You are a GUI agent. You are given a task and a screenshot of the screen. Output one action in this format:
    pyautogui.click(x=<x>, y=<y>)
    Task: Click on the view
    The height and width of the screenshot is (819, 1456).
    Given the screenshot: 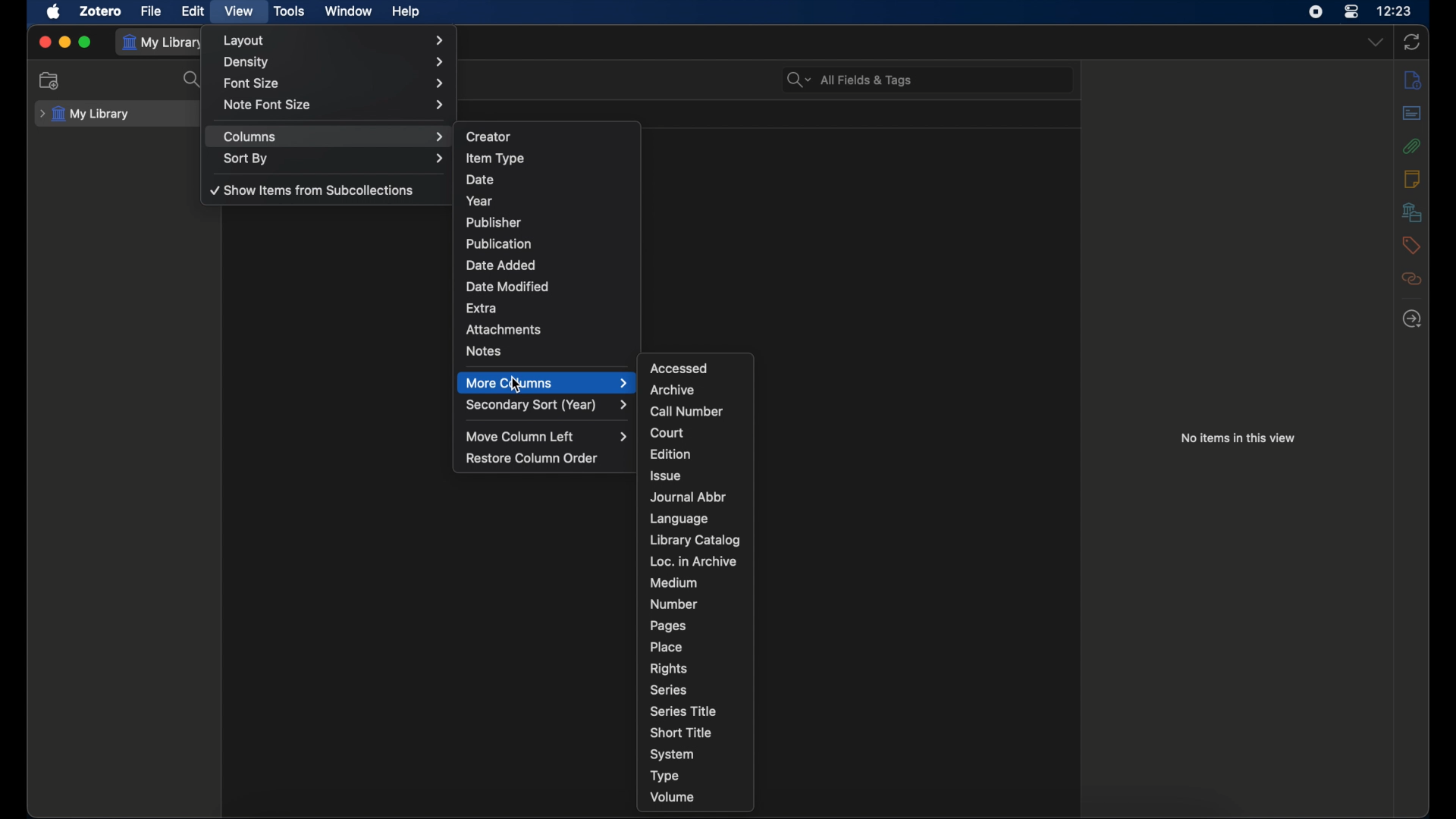 What is the action you would take?
    pyautogui.click(x=238, y=11)
    